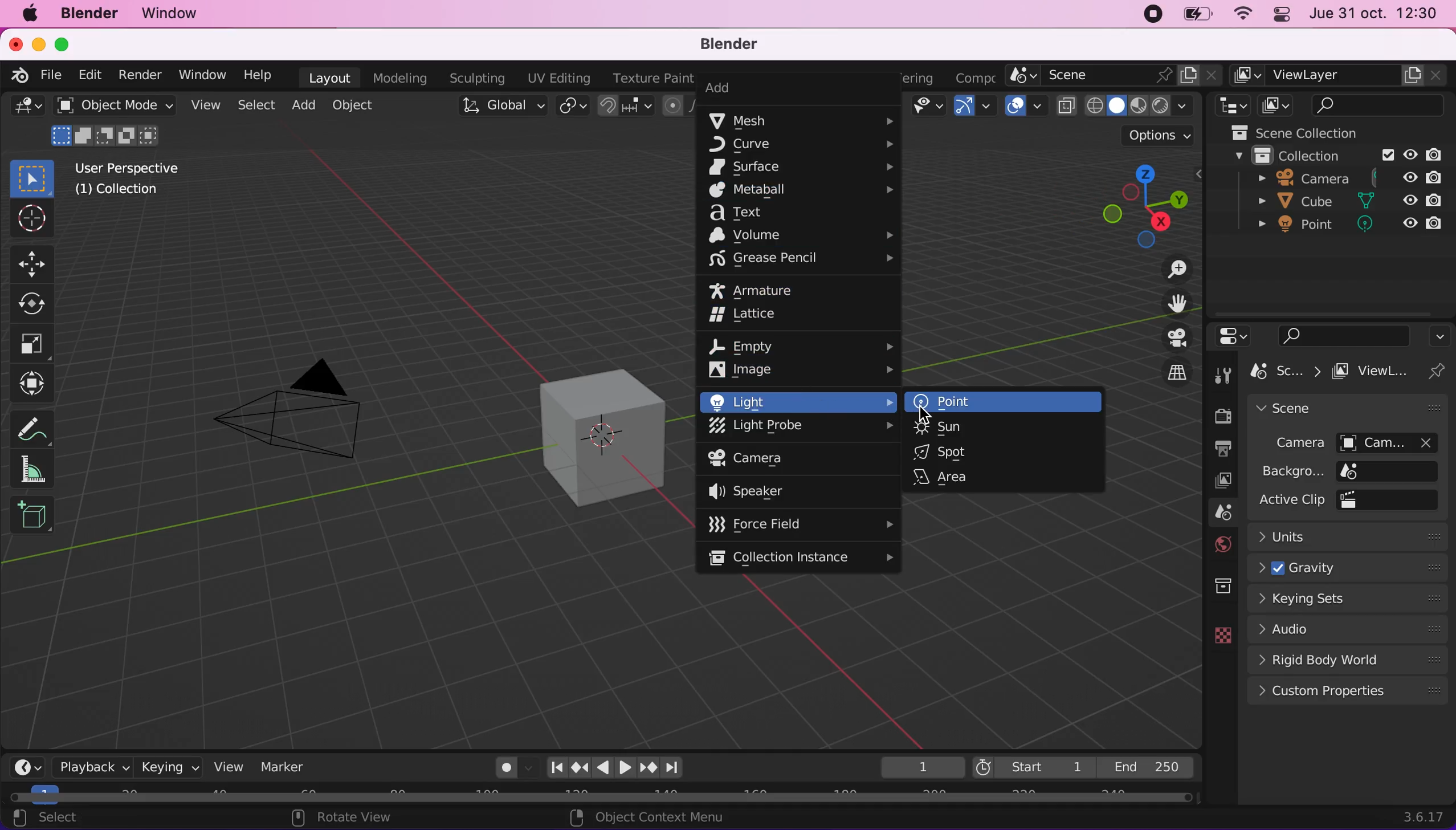  Describe the element at coordinates (601, 770) in the screenshot. I see `Play animation` at that location.